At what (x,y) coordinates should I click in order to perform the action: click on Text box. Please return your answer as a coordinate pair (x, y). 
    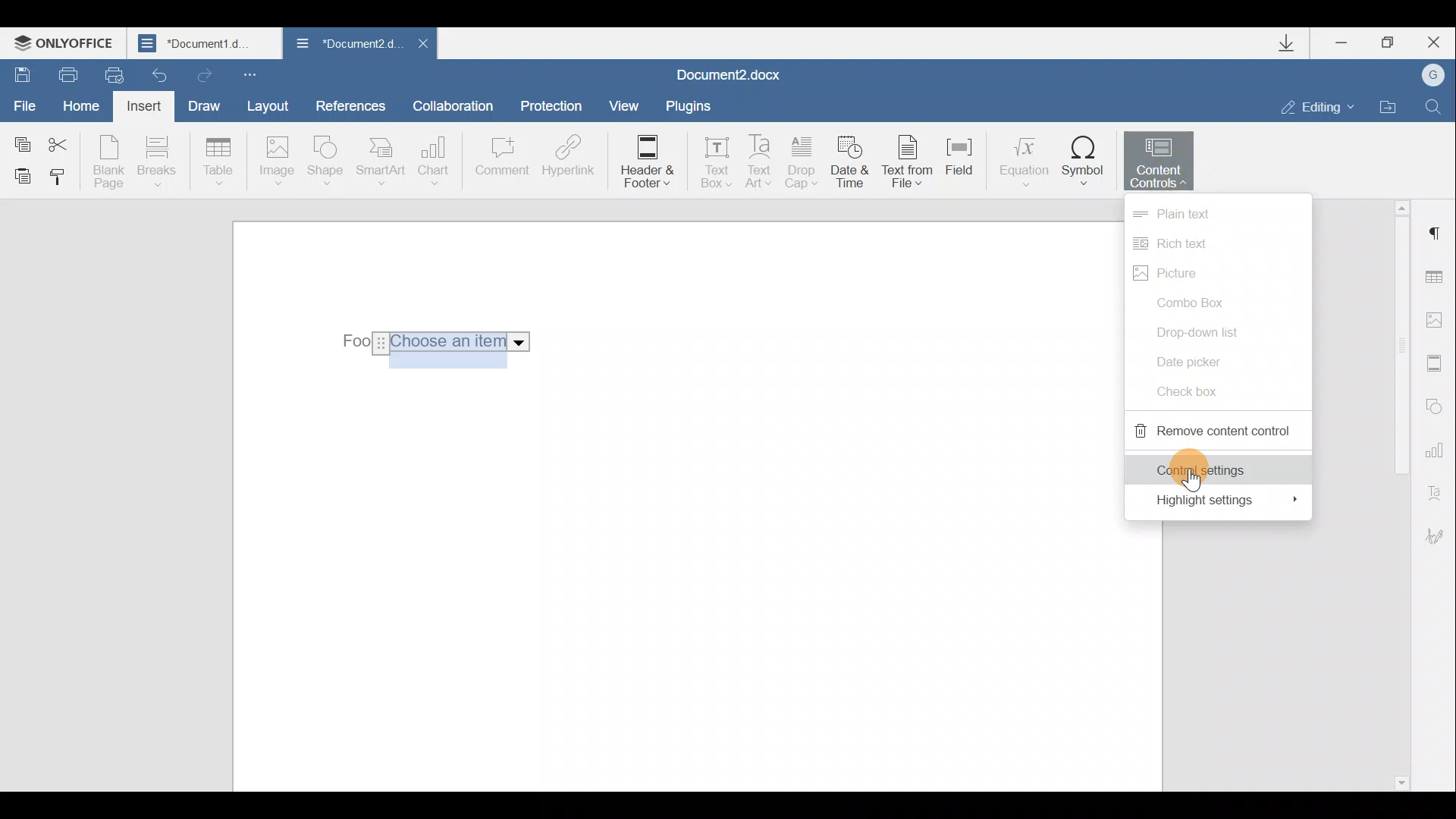
    Looking at the image, I should click on (711, 165).